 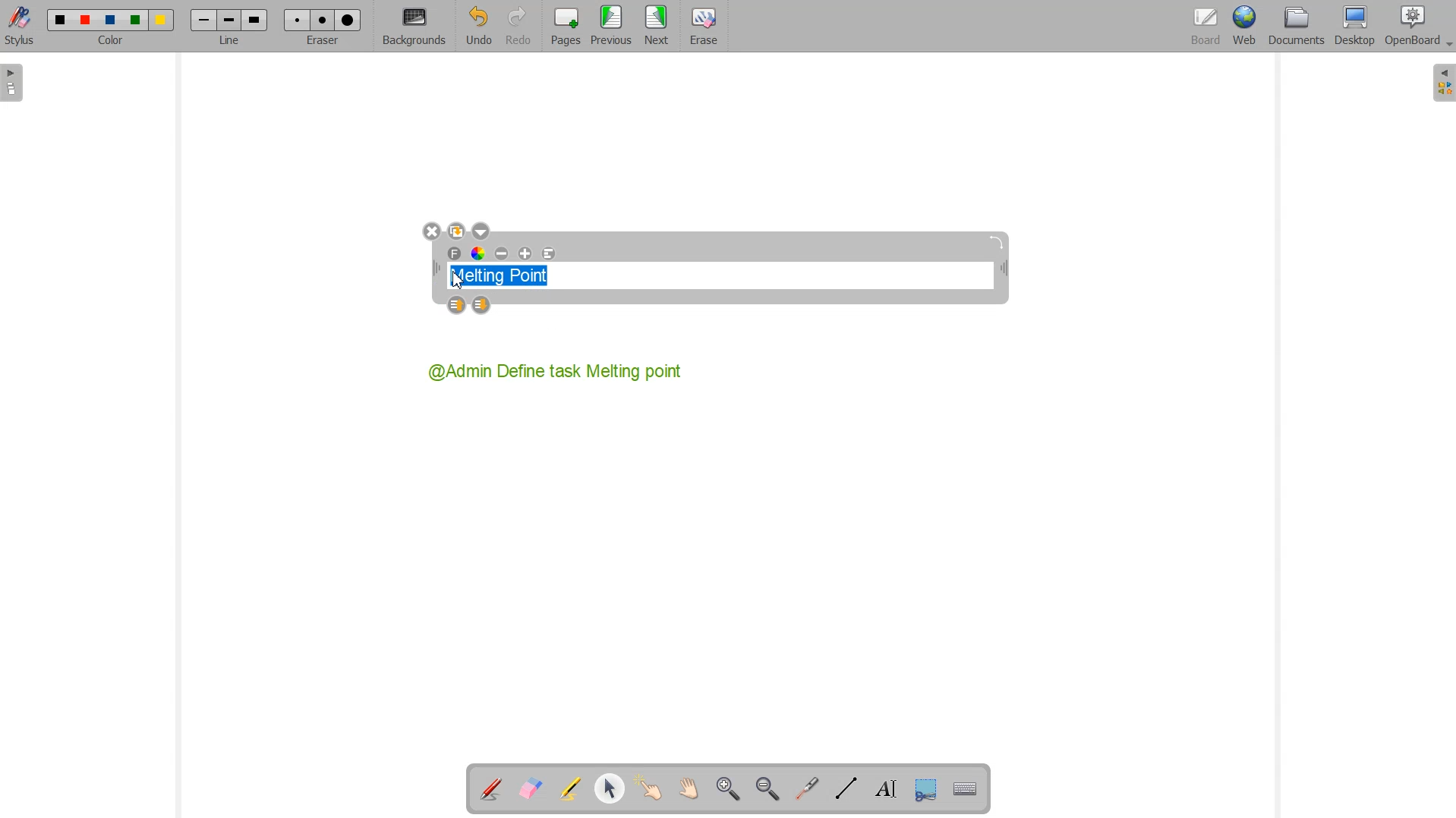 What do you see at coordinates (320, 26) in the screenshot?
I see `Eraser` at bounding box center [320, 26].